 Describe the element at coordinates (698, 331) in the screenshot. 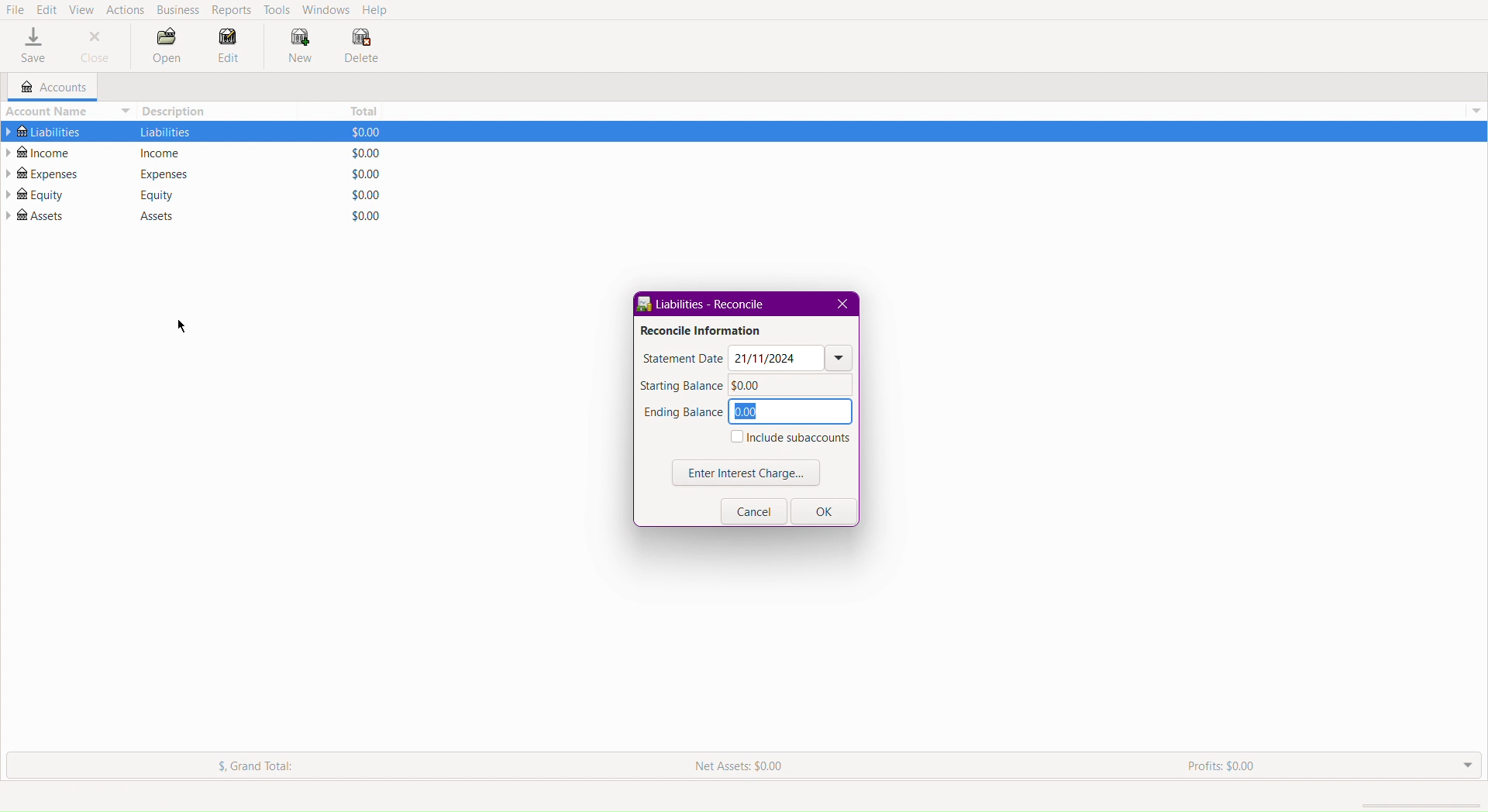

I see `Reconcile Information` at that location.